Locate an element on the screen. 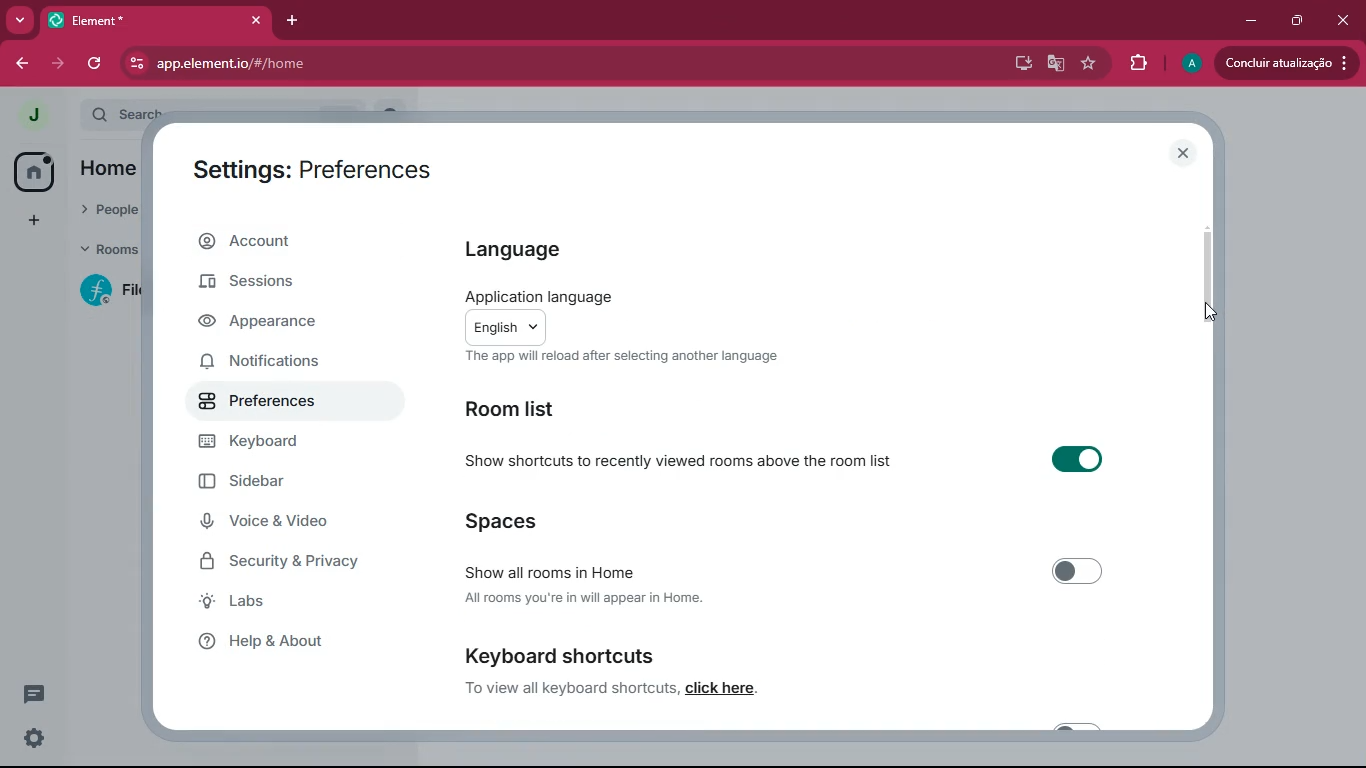  click here is located at coordinates (724, 688).